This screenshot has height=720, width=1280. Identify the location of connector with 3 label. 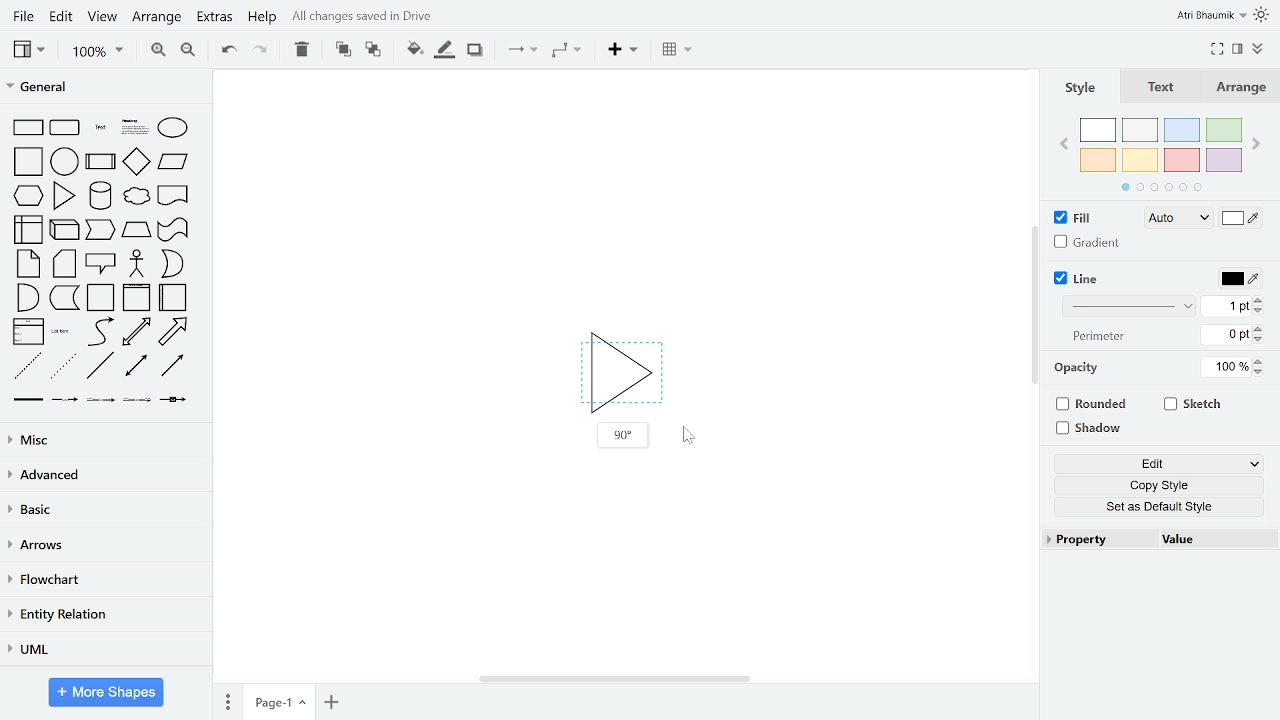
(135, 402).